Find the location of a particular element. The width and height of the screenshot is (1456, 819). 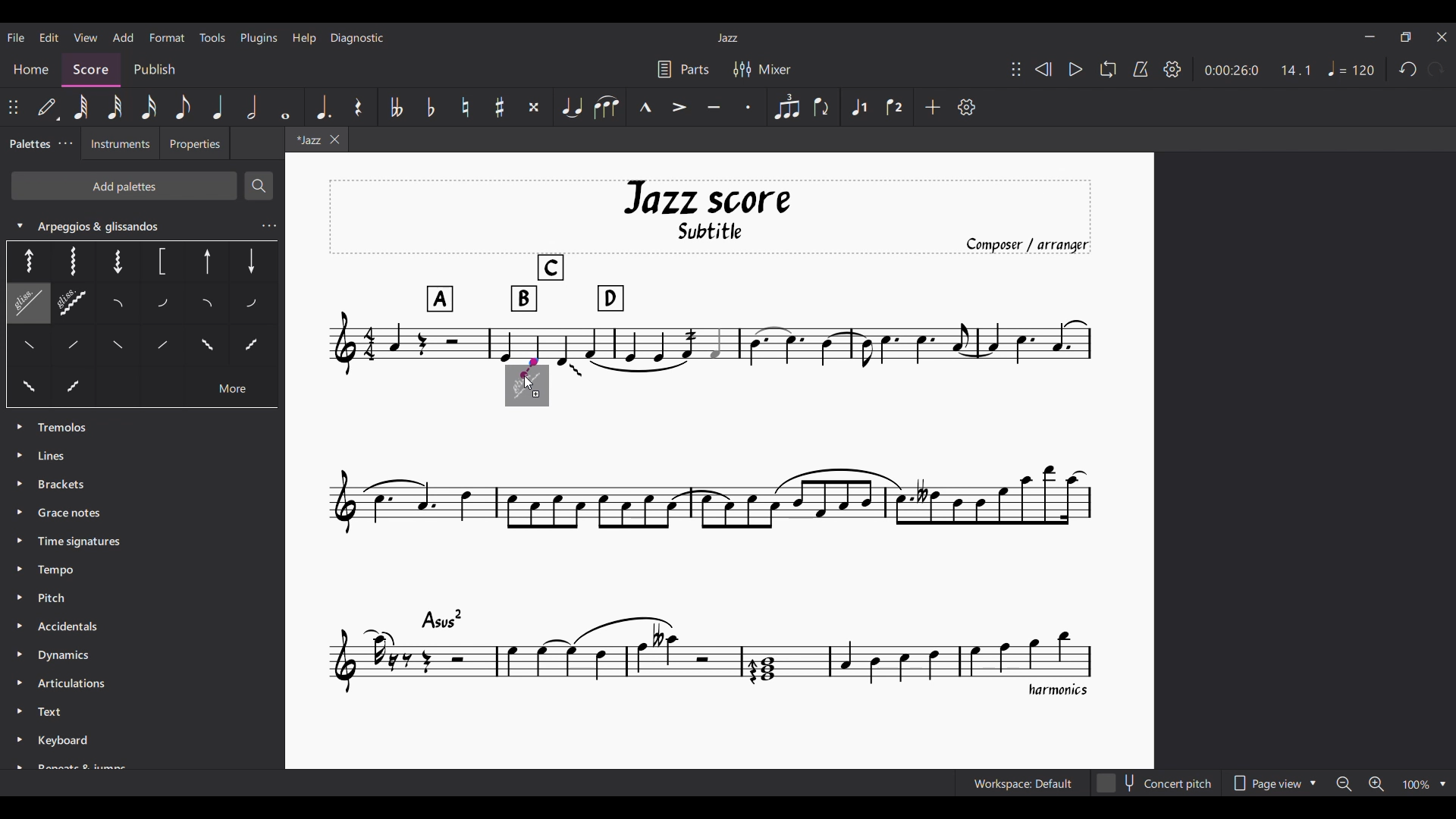

Plate 5 is located at coordinates (208, 263).